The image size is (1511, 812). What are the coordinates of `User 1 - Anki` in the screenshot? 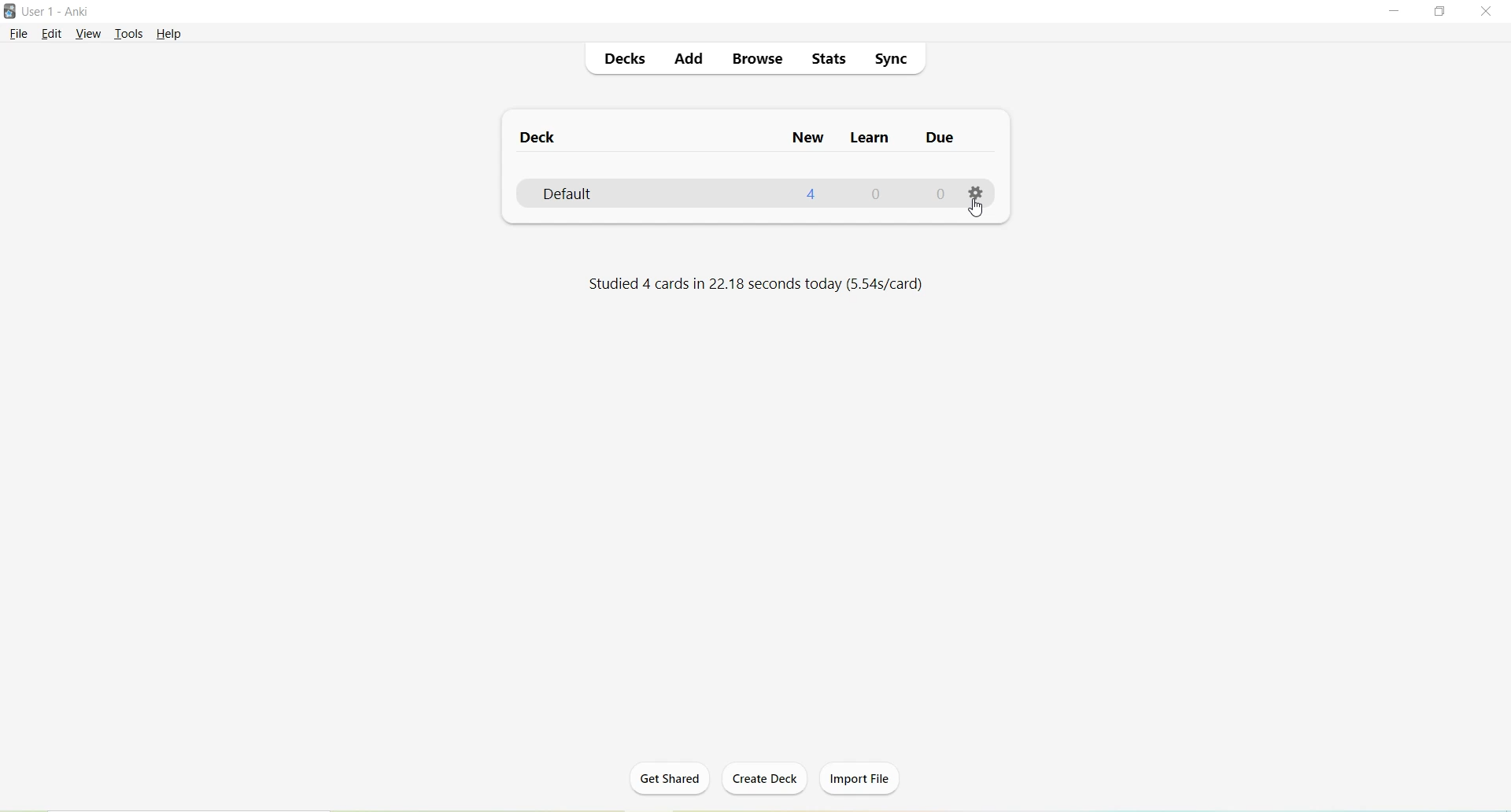 It's located at (55, 11).